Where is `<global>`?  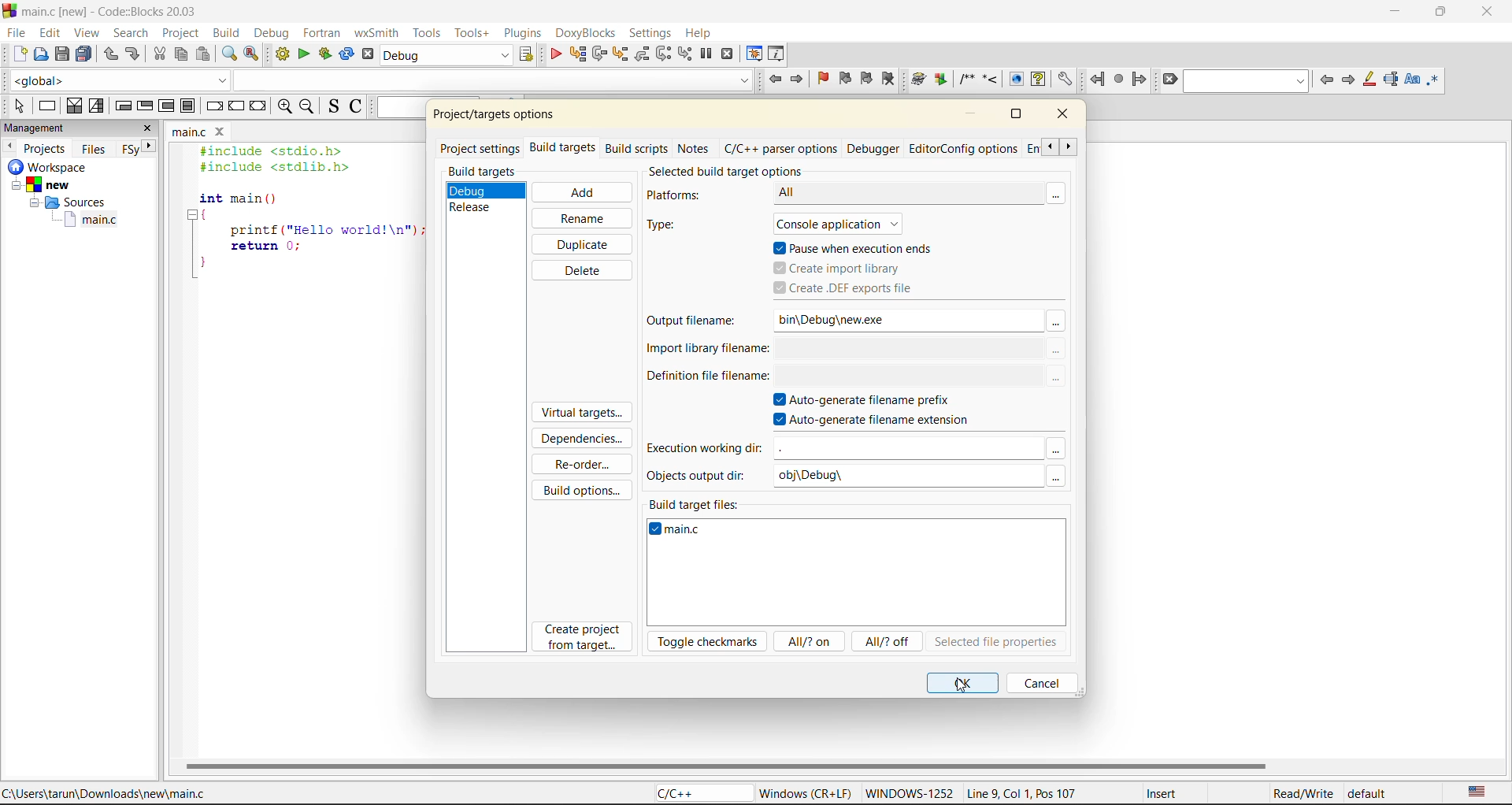
<global> is located at coordinates (120, 79).